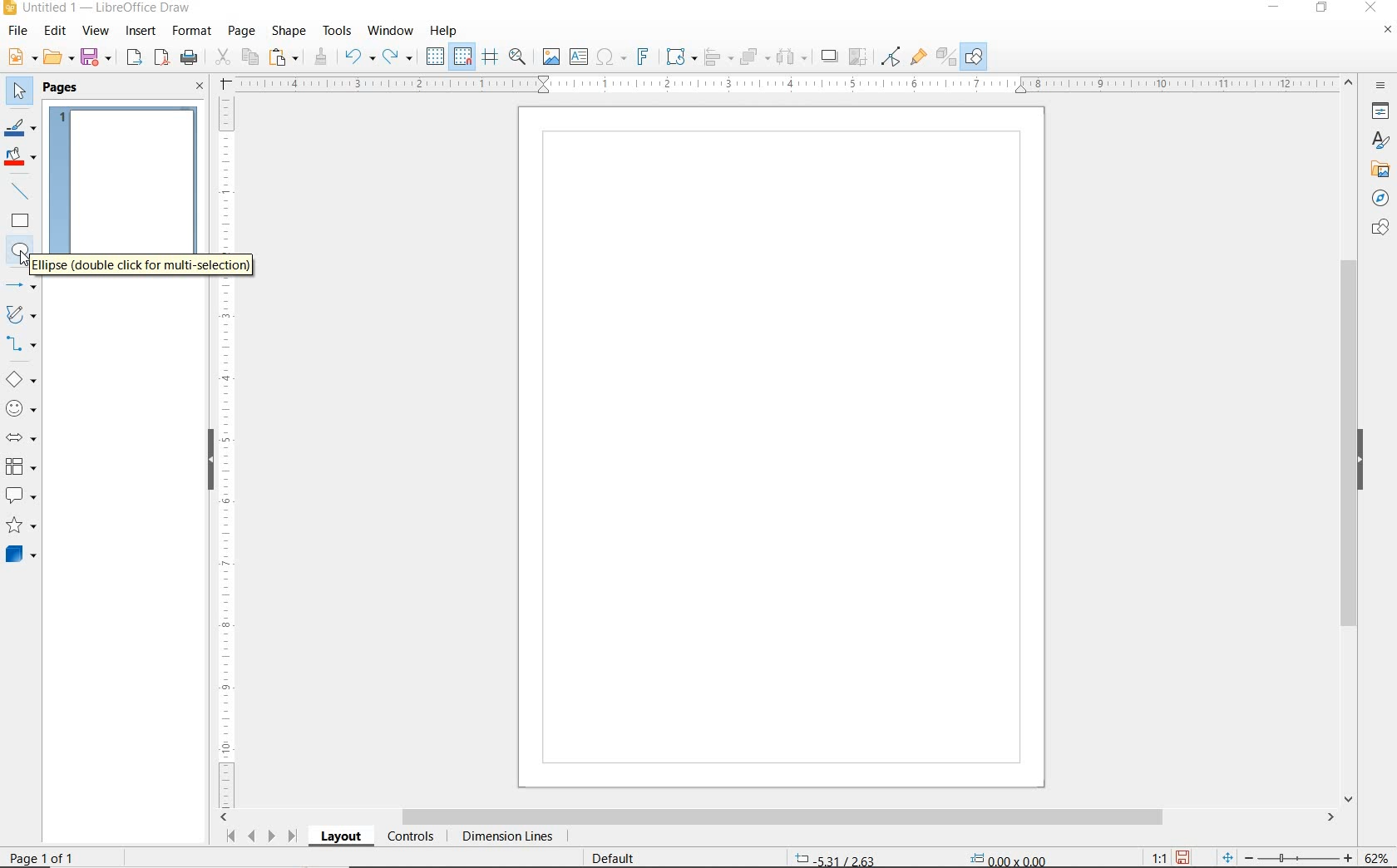  Describe the element at coordinates (20, 435) in the screenshot. I see `BLOCK ARROWS` at that location.